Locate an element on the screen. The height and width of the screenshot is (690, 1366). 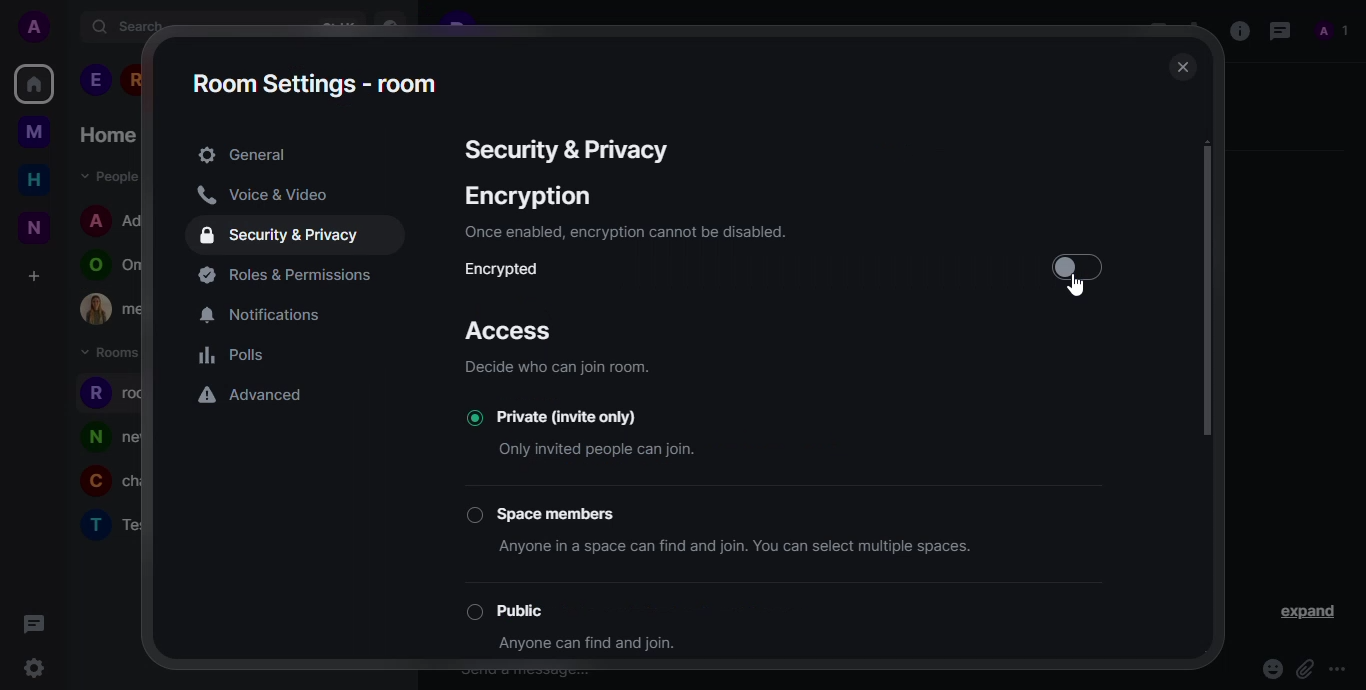
account is located at coordinates (39, 28).